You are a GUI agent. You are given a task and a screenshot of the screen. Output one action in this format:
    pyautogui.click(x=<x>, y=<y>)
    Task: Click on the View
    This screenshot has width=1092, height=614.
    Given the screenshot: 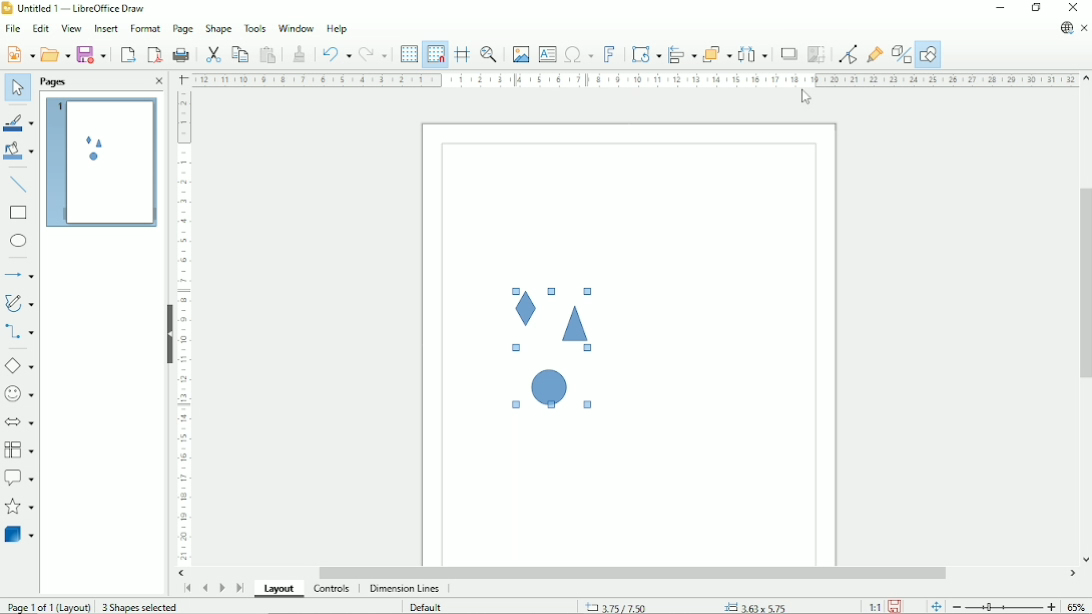 What is the action you would take?
    pyautogui.click(x=71, y=27)
    